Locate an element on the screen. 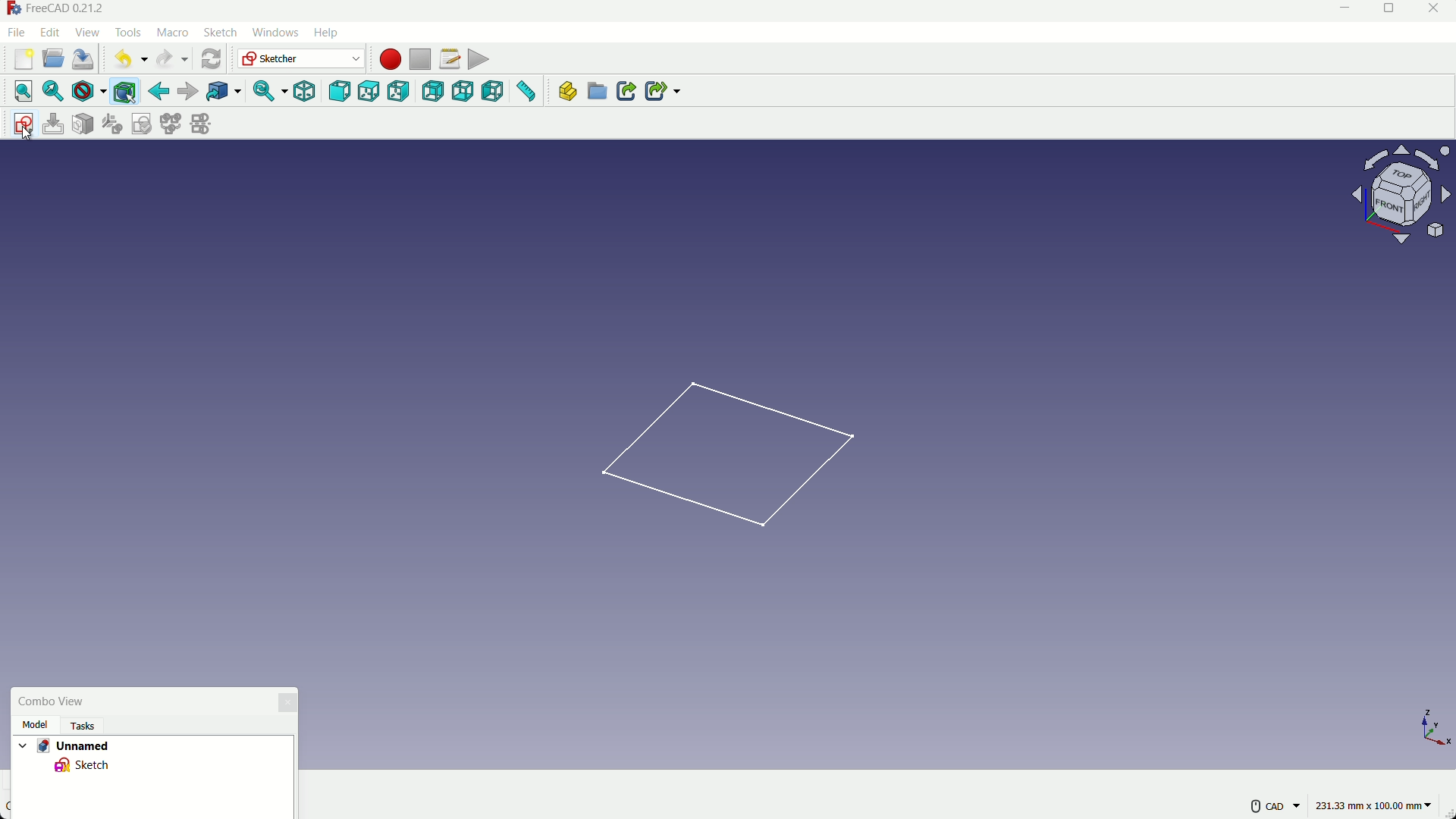 The width and height of the screenshot is (1456, 819). combo view box is located at coordinates (139, 701).